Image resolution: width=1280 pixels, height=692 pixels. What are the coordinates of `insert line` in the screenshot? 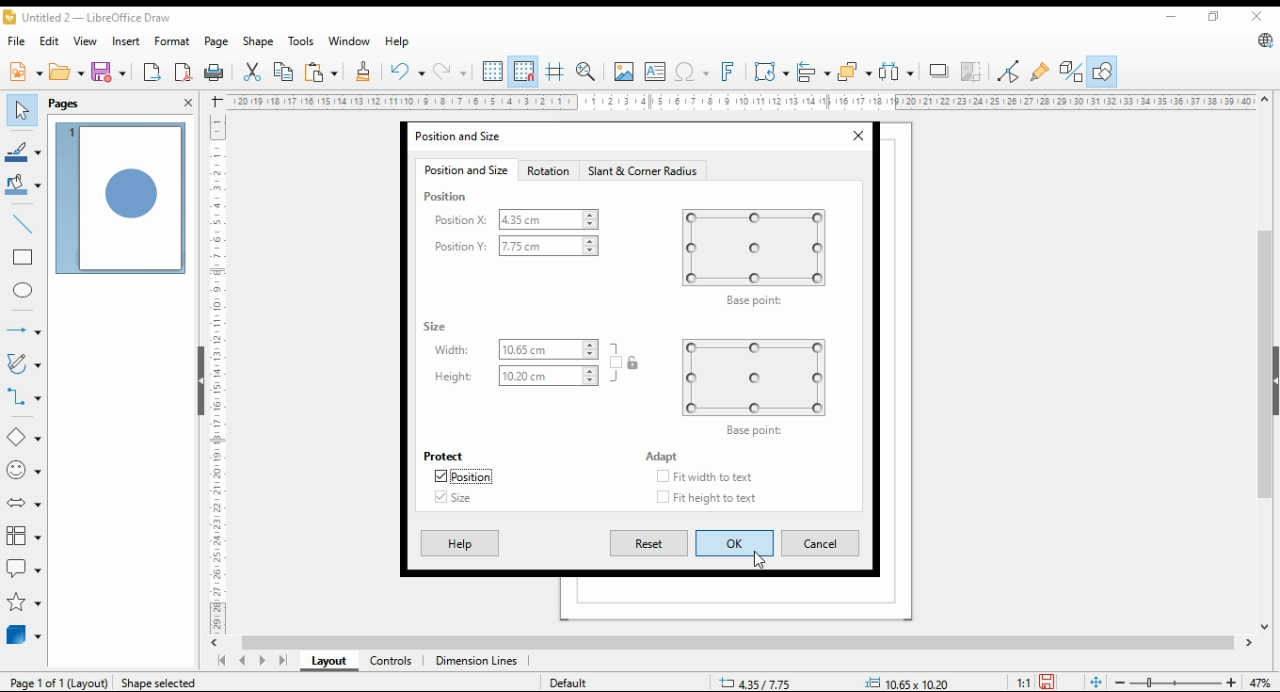 It's located at (24, 225).